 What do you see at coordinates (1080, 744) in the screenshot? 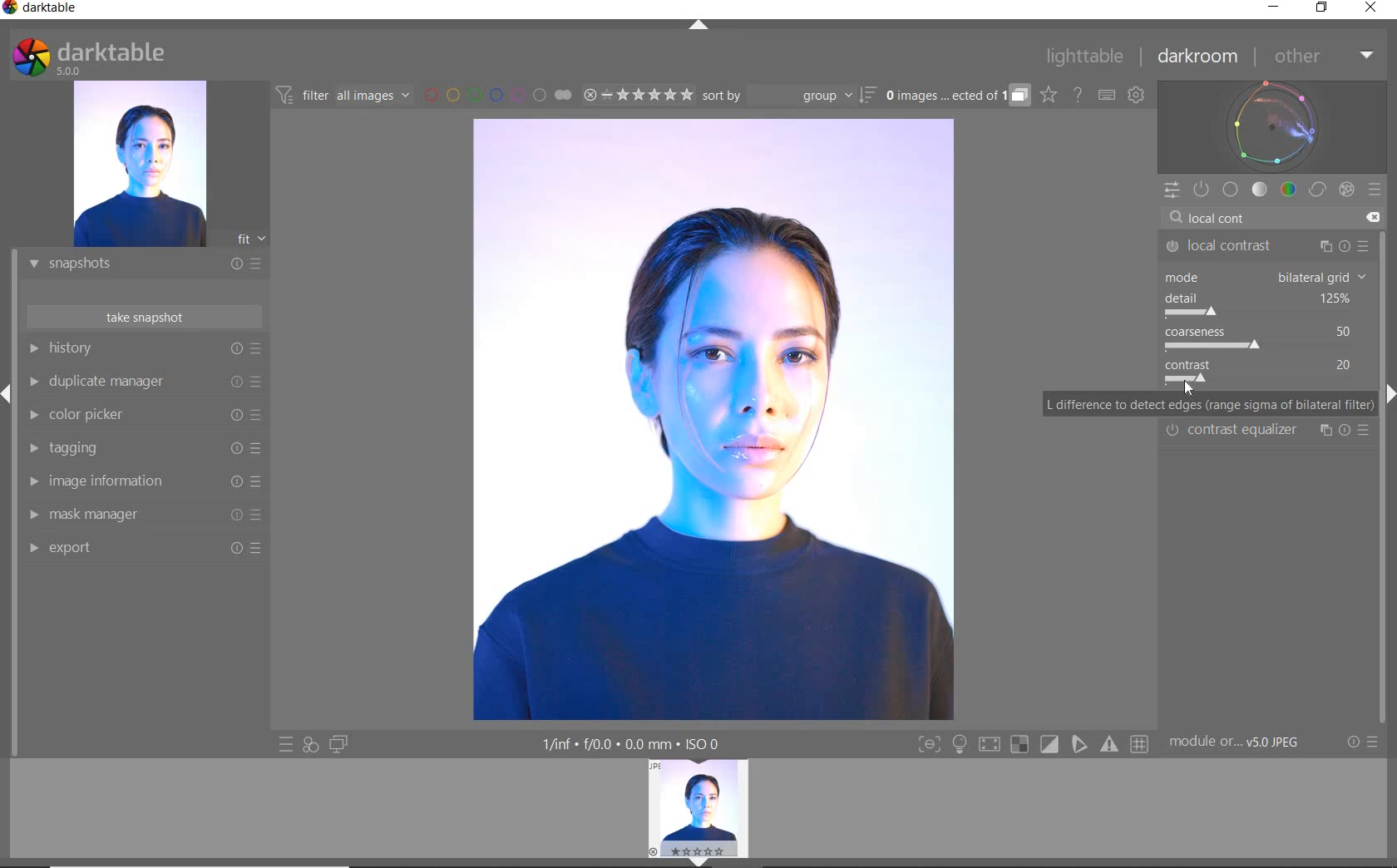
I see `Button` at bounding box center [1080, 744].